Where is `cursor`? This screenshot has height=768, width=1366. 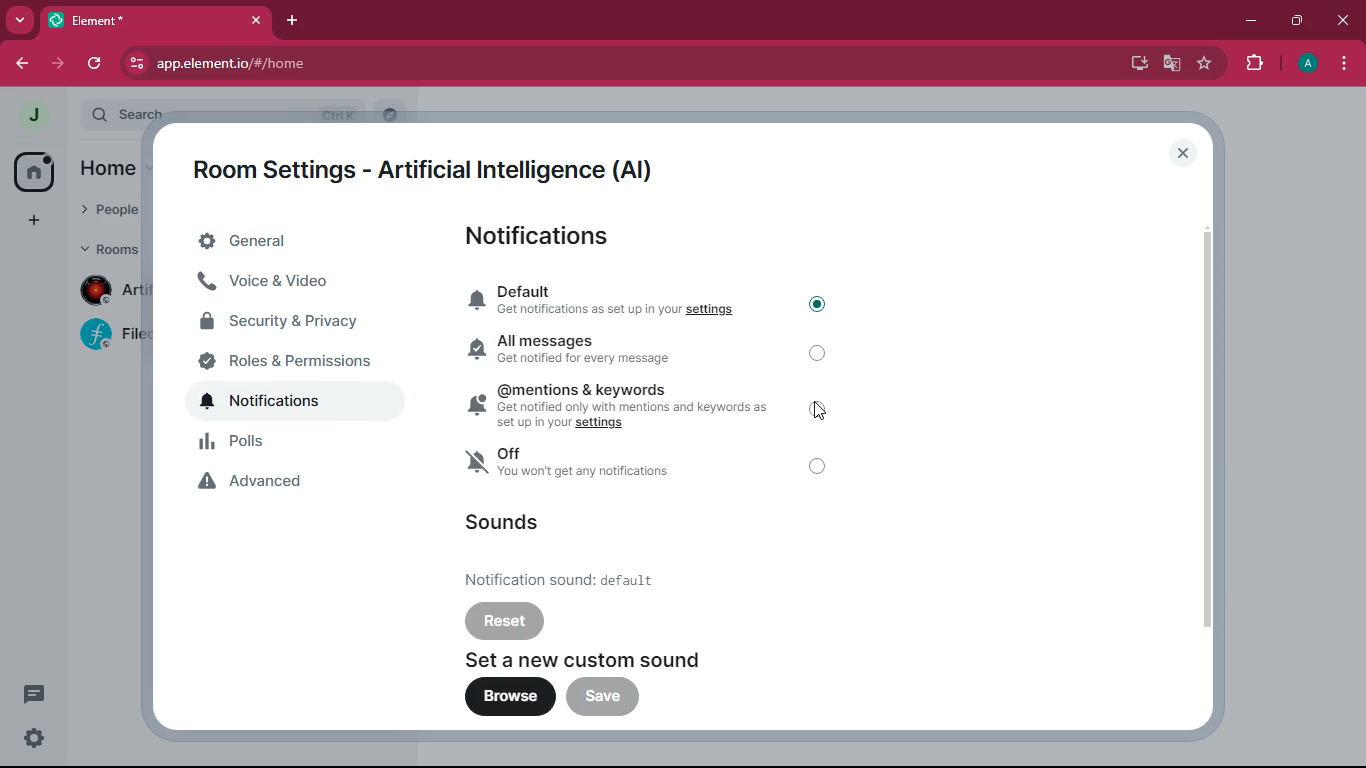
cursor is located at coordinates (821, 412).